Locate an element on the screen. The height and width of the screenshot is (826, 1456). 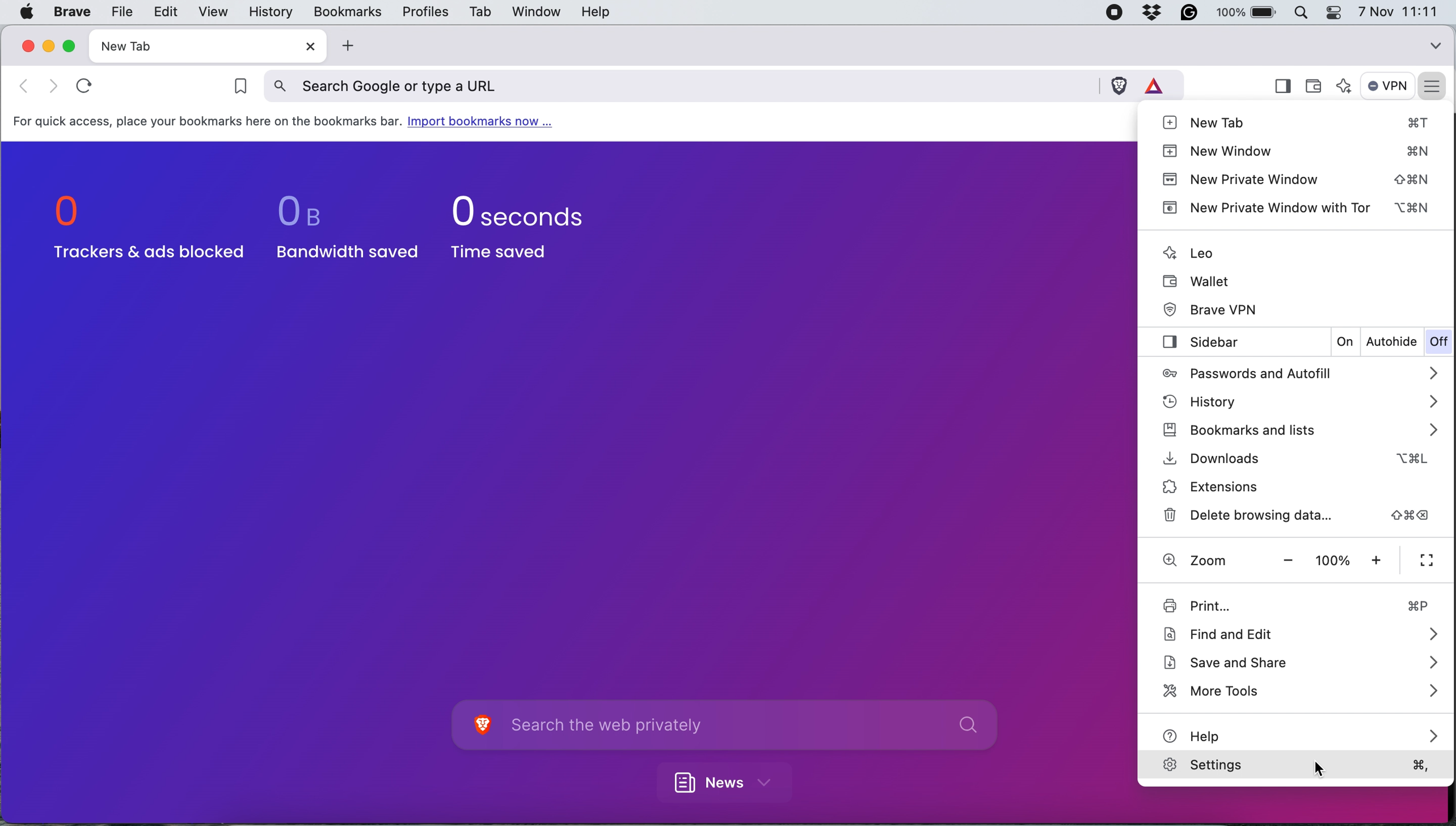
cursor is located at coordinates (1319, 769).